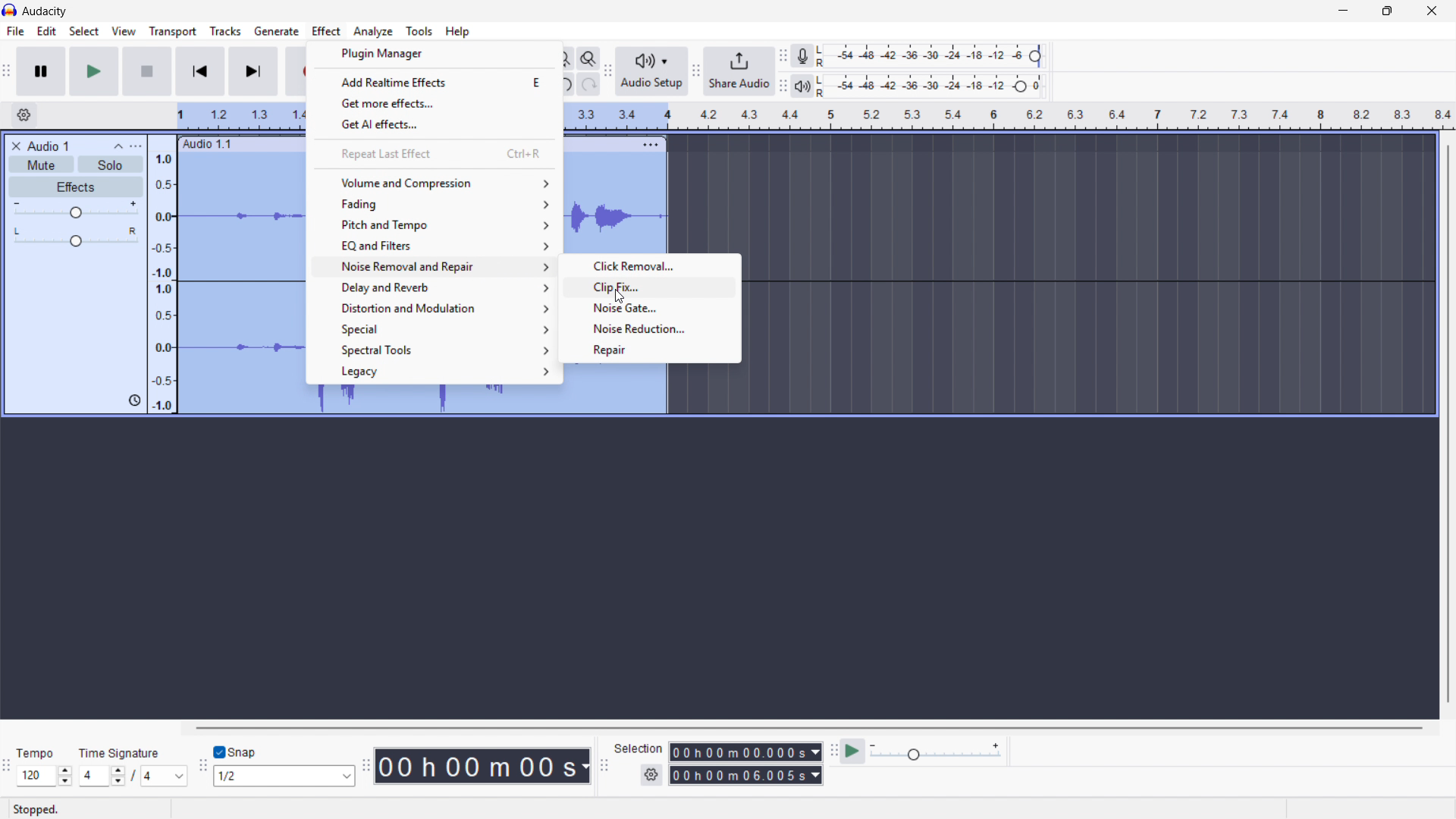 This screenshot has height=819, width=1456. I want to click on Timeline settings , so click(24, 116).